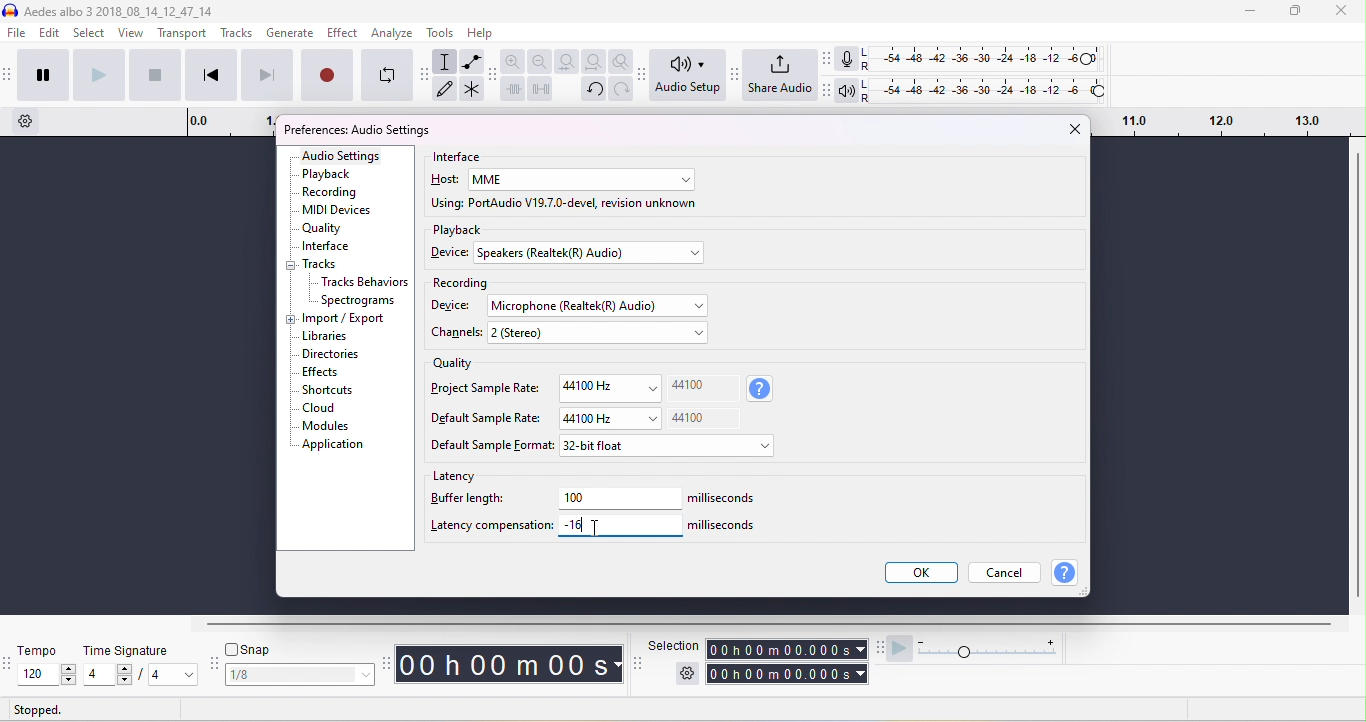 The width and height of the screenshot is (1366, 722). Describe the element at coordinates (992, 649) in the screenshot. I see `playback speed` at that location.